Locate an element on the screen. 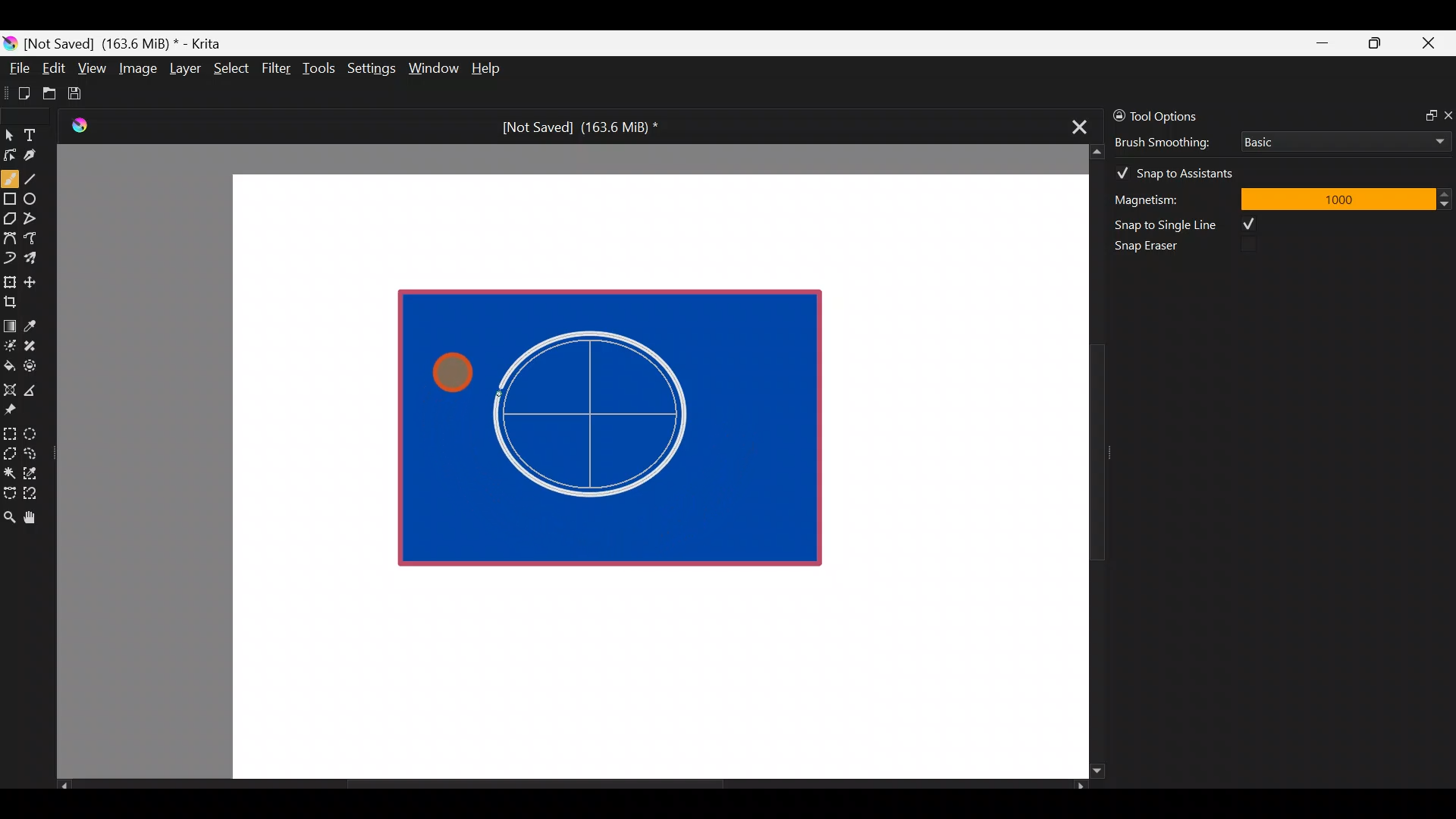 This screenshot has width=1456, height=819. Magnetic curve selection tool is located at coordinates (35, 494).